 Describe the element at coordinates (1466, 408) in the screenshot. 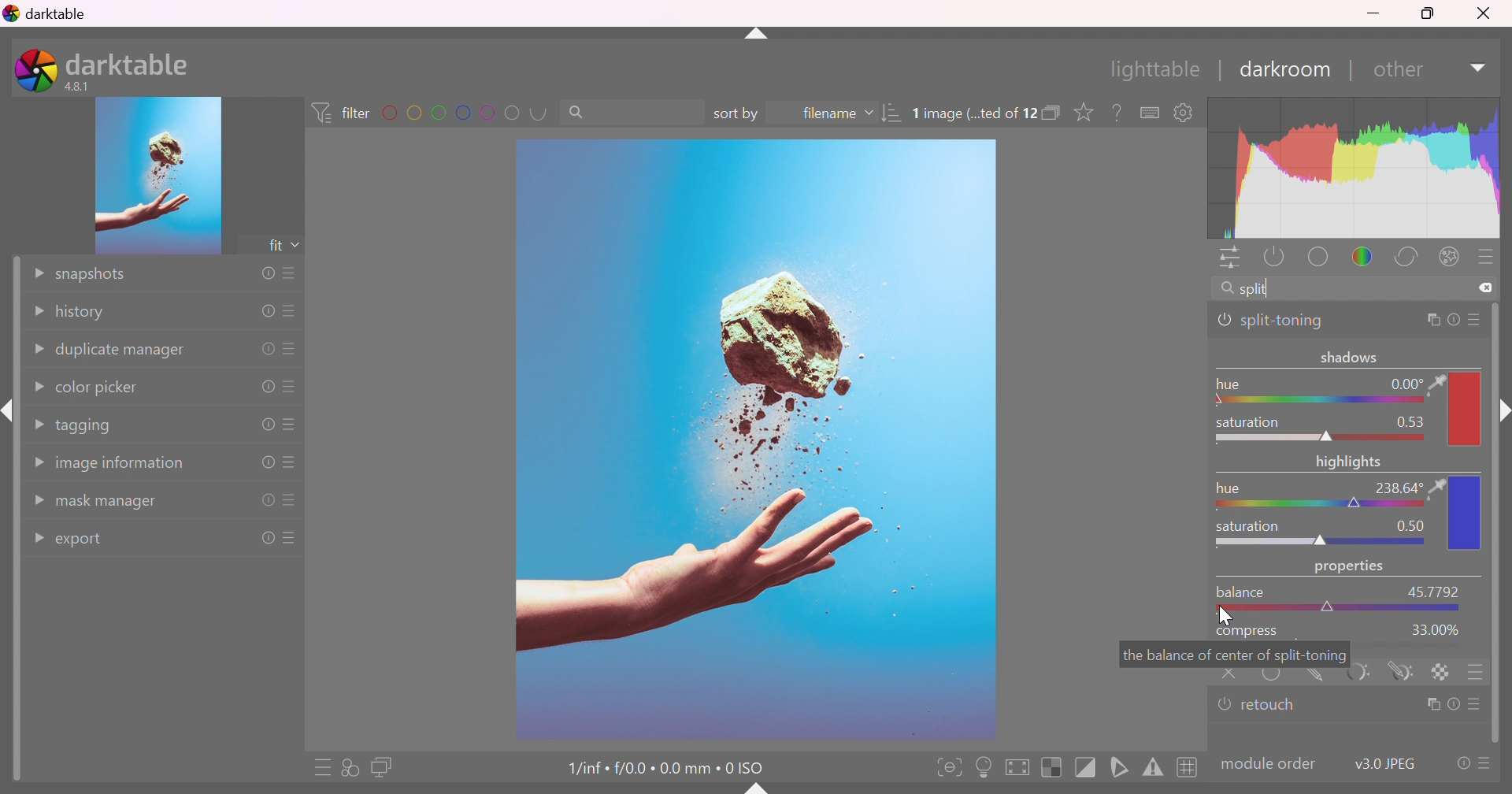

I see `color` at that location.